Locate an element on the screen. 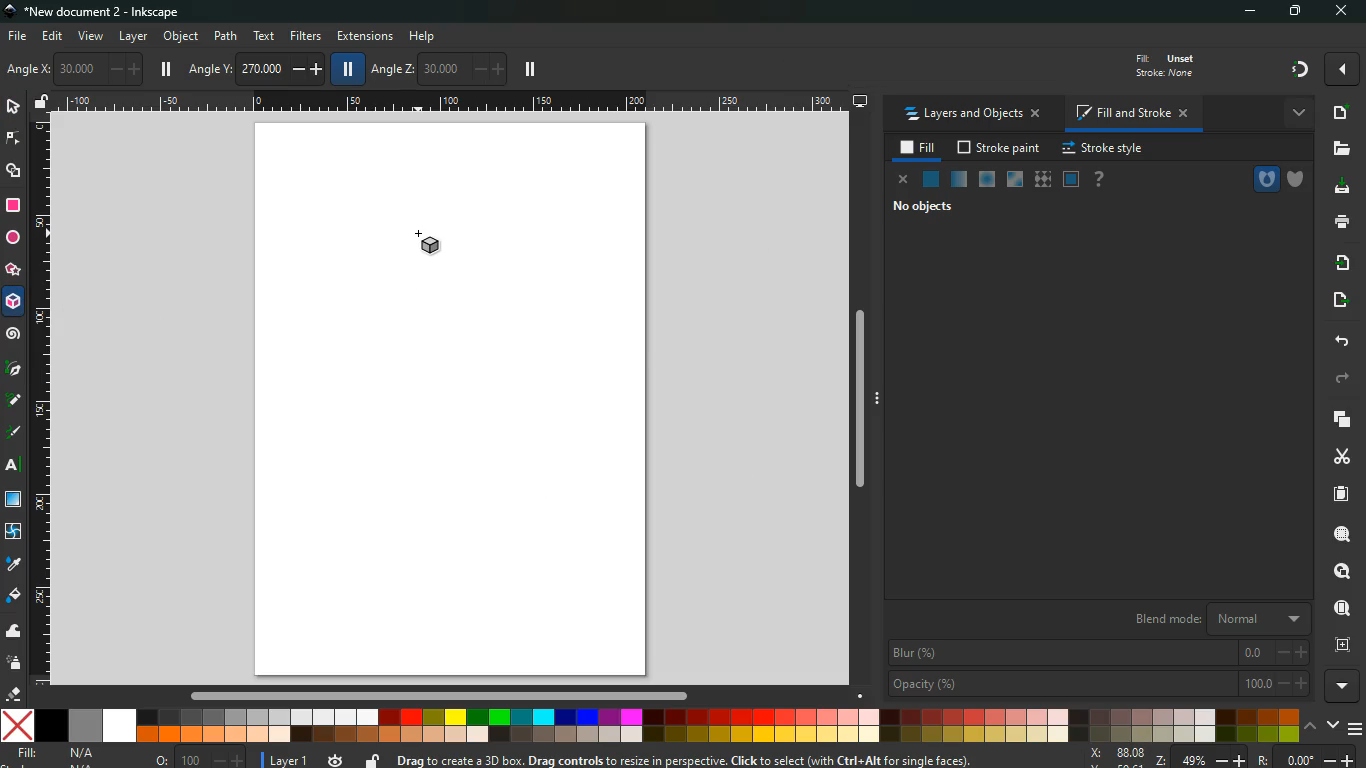  angle x is located at coordinates (77, 69).